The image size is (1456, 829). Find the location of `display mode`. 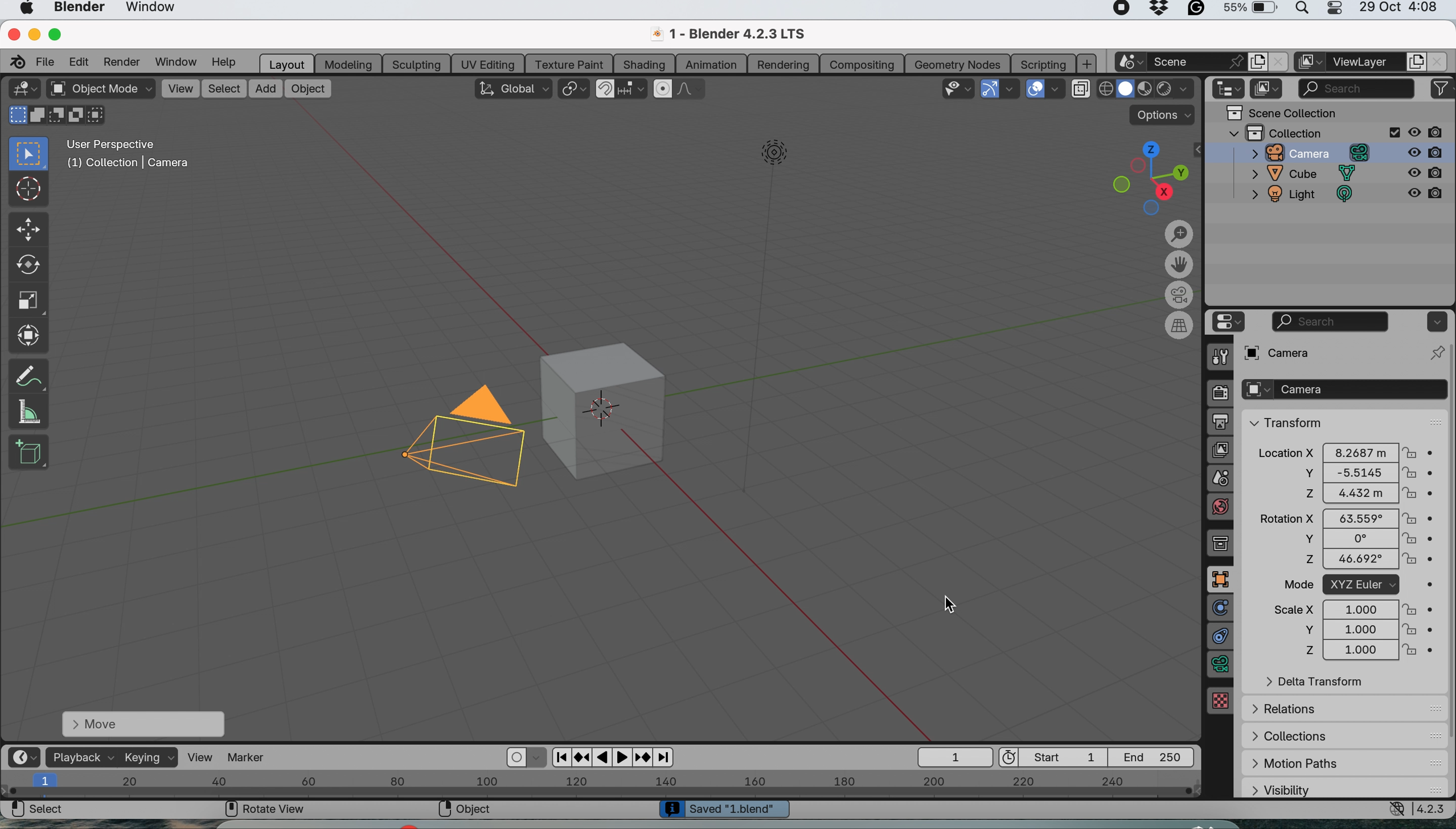

display mode is located at coordinates (1268, 89).